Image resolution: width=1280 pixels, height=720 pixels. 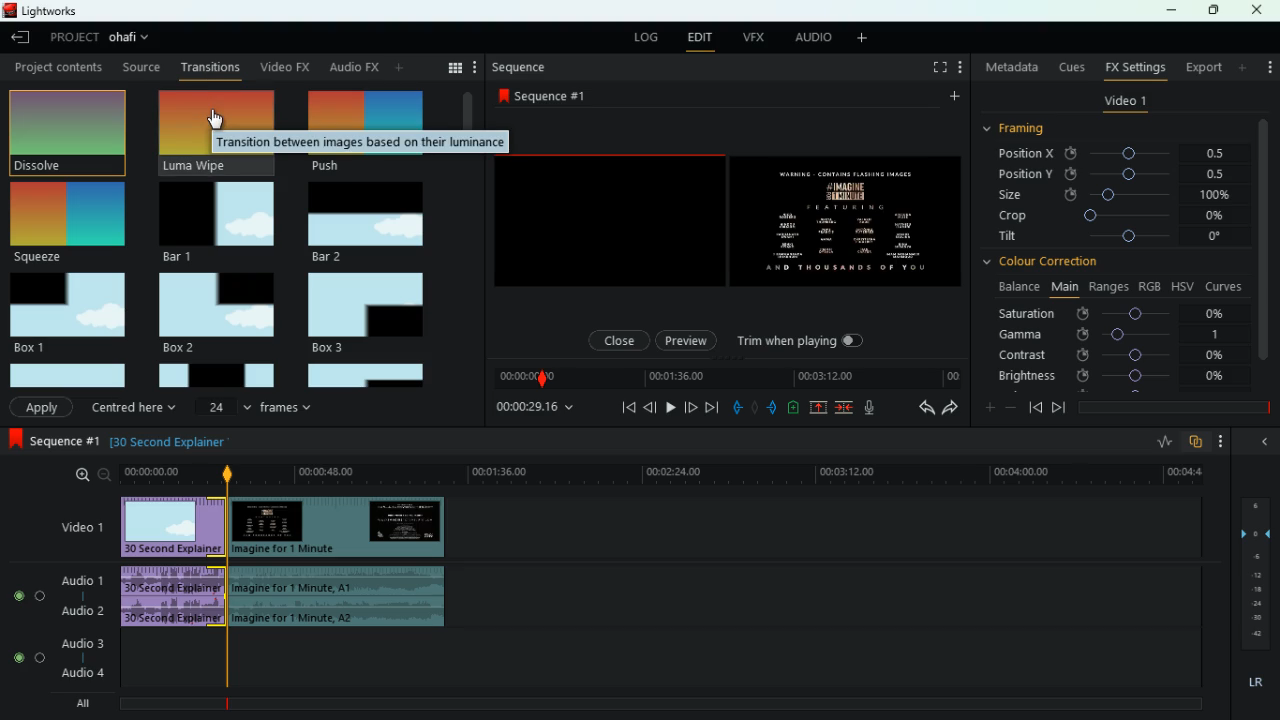 I want to click on front, so click(x=689, y=405).